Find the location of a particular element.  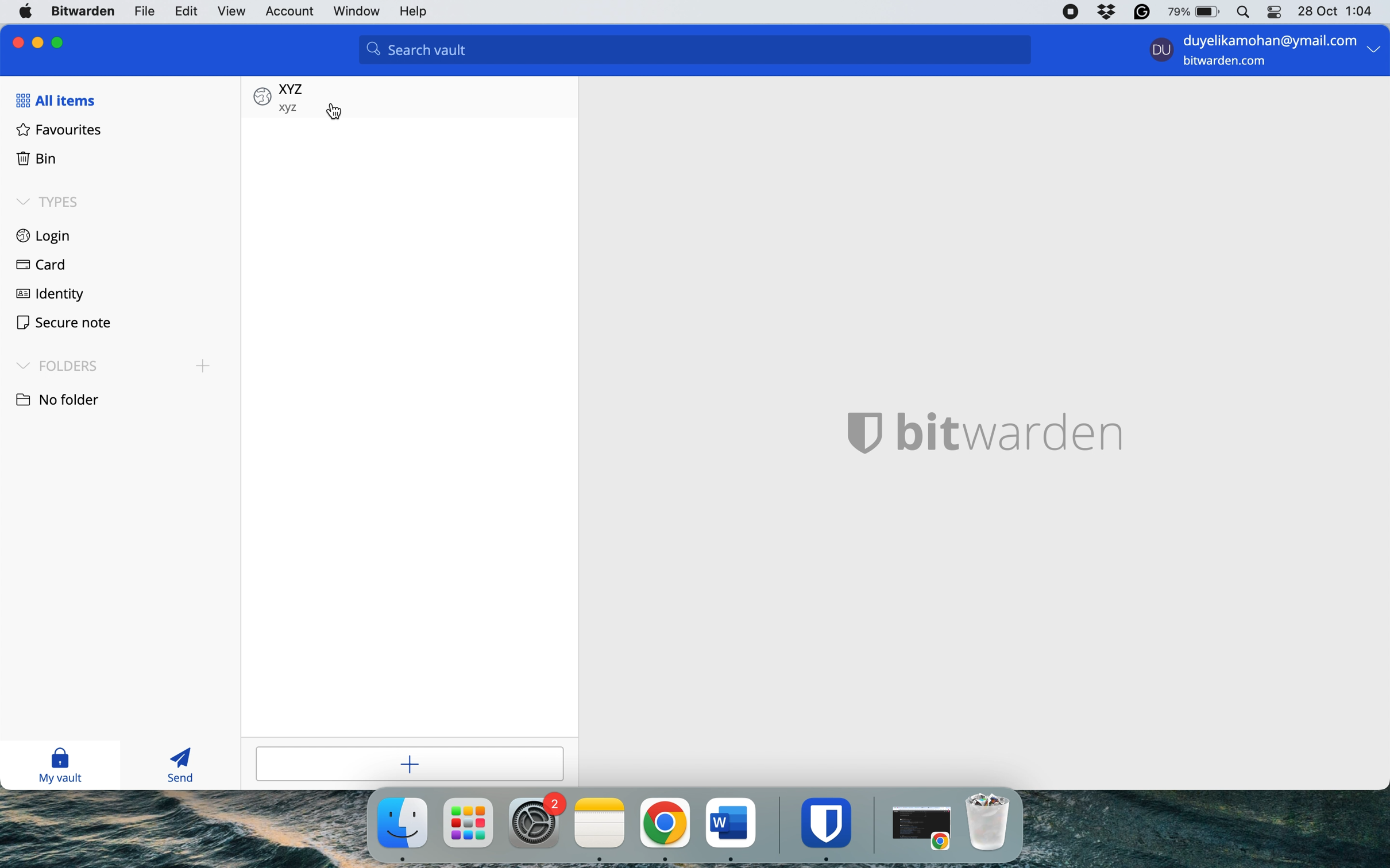

my vault is located at coordinates (68, 766).